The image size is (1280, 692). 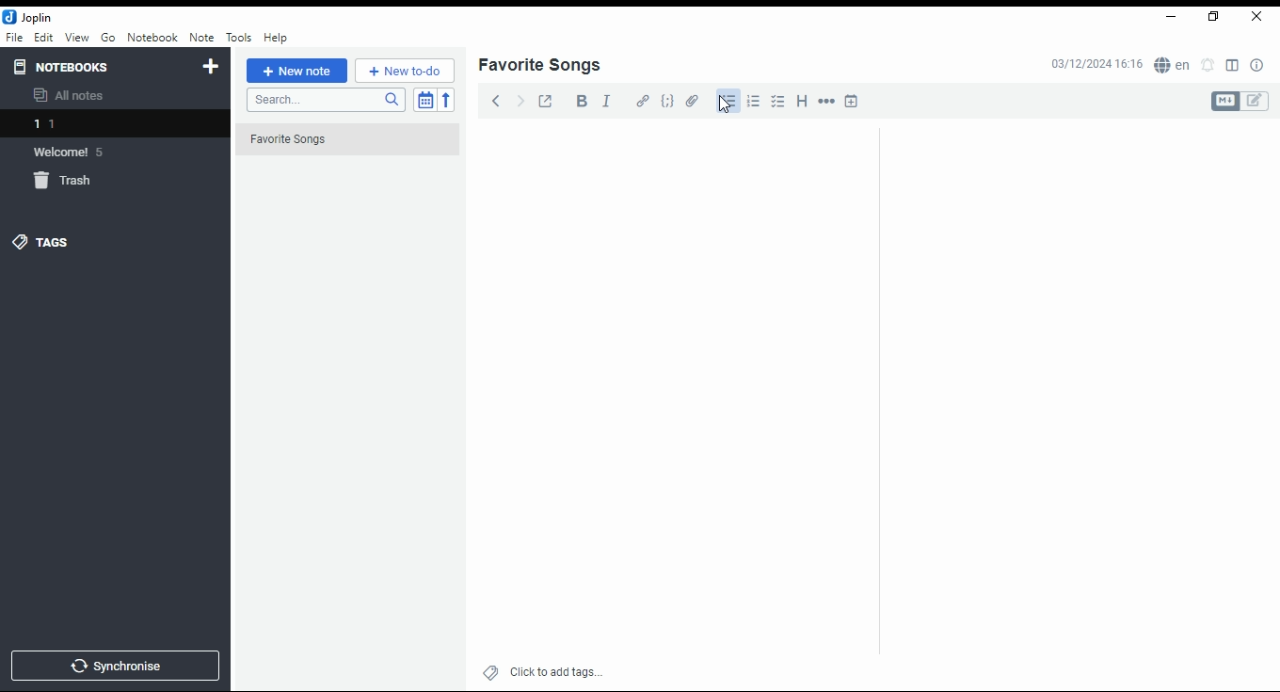 What do you see at coordinates (446, 100) in the screenshot?
I see `reverse sort order` at bounding box center [446, 100].